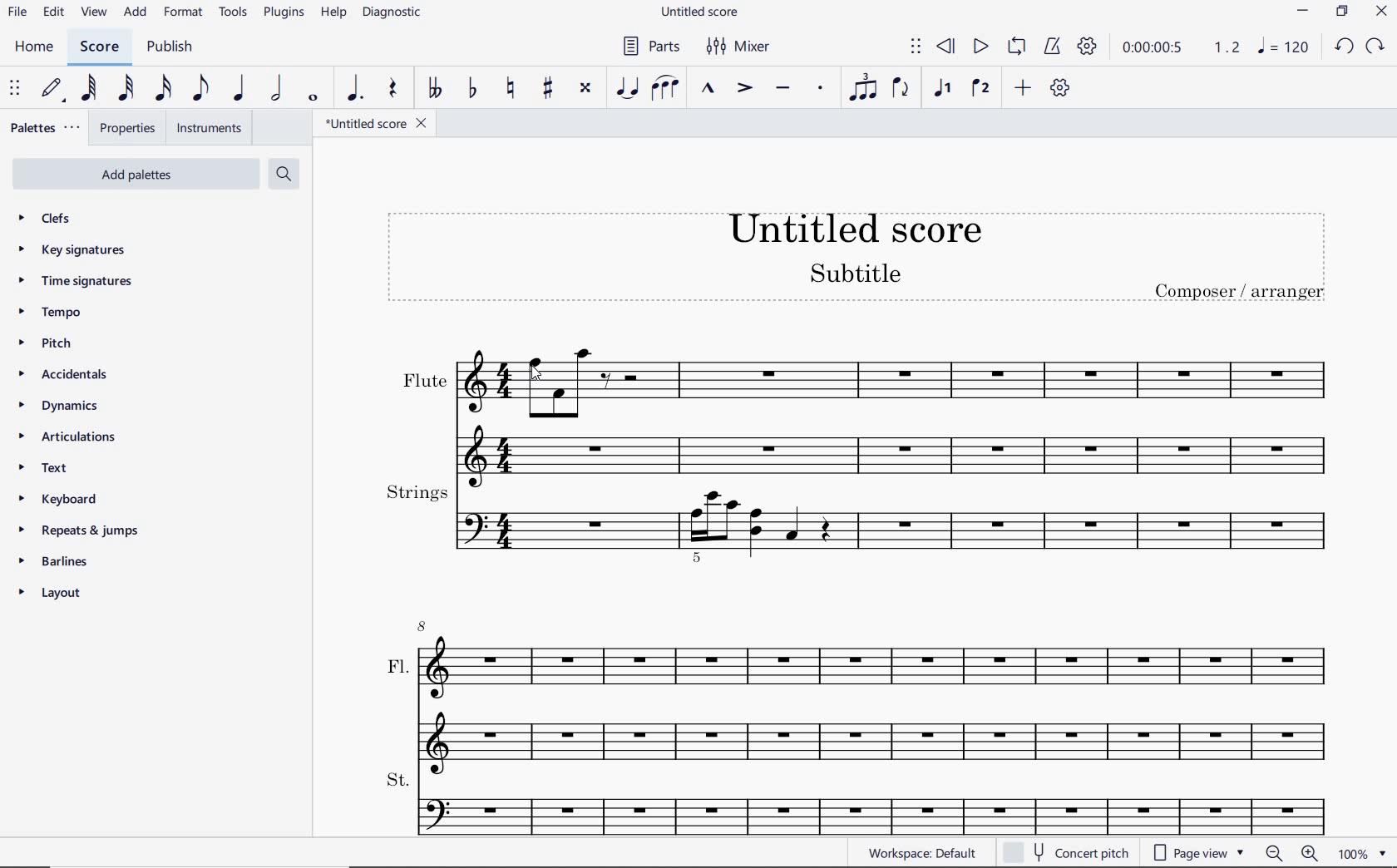 This screenshot has height=868, width=1397. What do you see at coordinates (54, 560) in the screenshot?
I see `barlines` at bounding box center [54, 560].